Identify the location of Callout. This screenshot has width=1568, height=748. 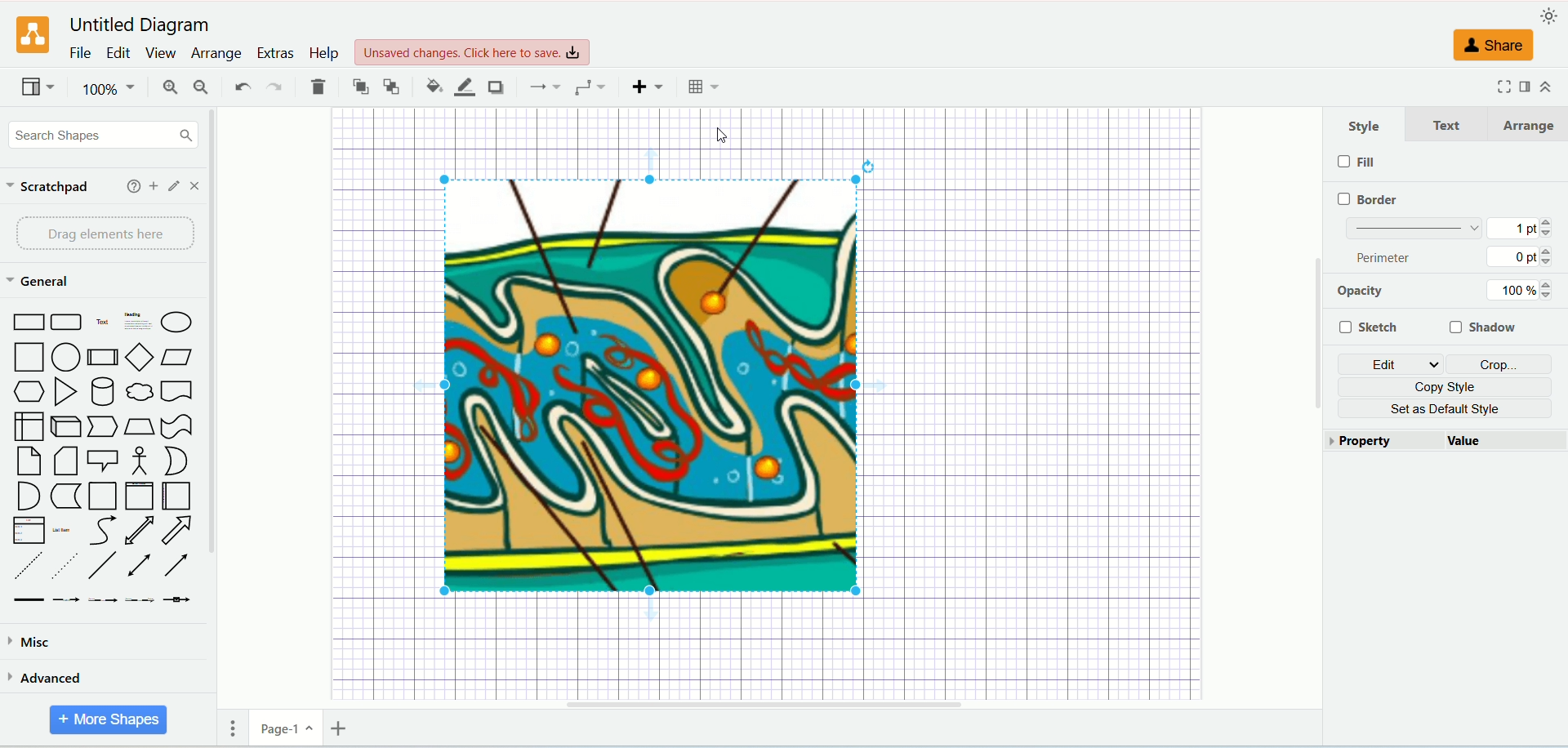
(102, 463).